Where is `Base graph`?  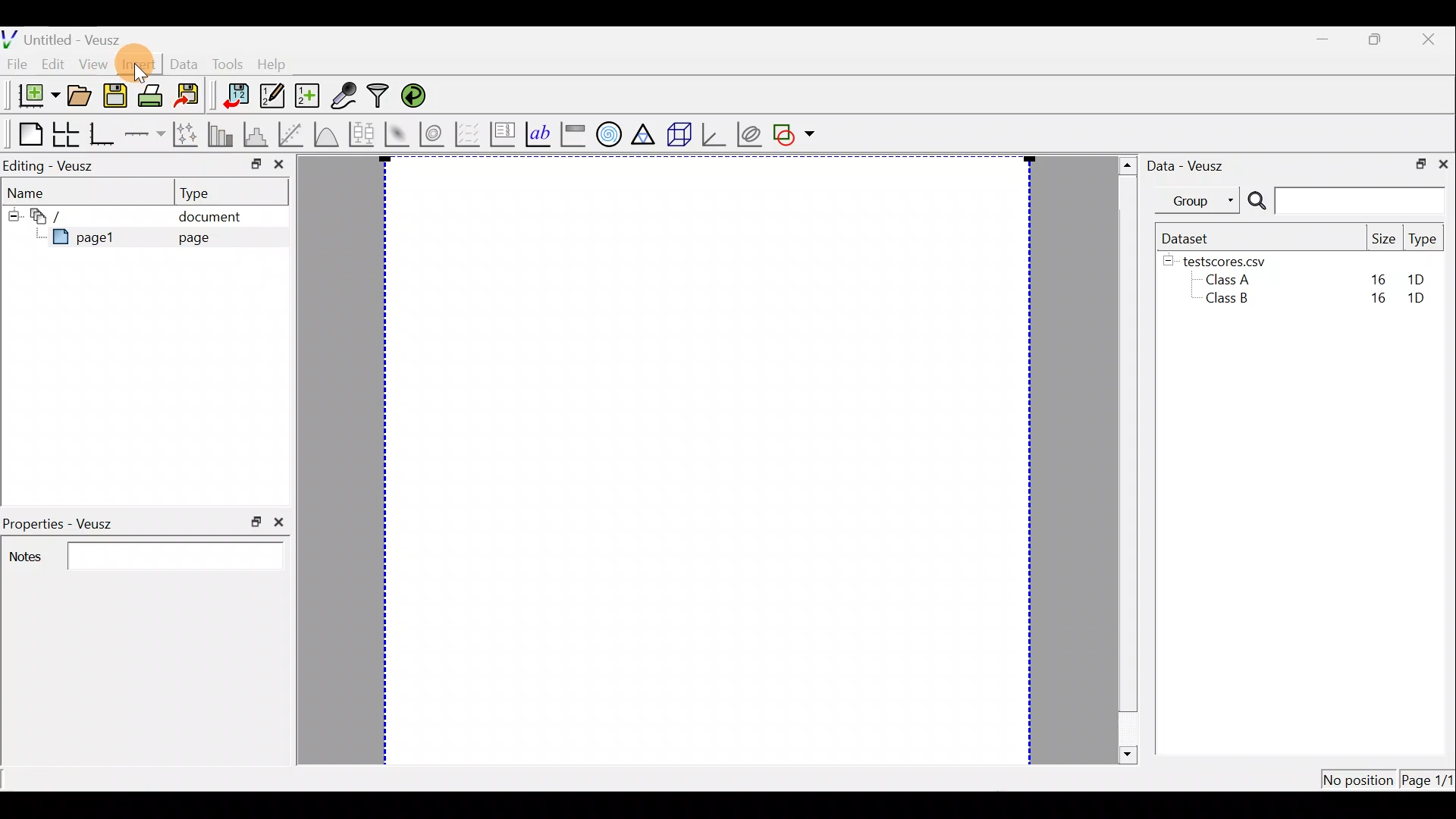 Base graph is located at coordinates (102, 132).